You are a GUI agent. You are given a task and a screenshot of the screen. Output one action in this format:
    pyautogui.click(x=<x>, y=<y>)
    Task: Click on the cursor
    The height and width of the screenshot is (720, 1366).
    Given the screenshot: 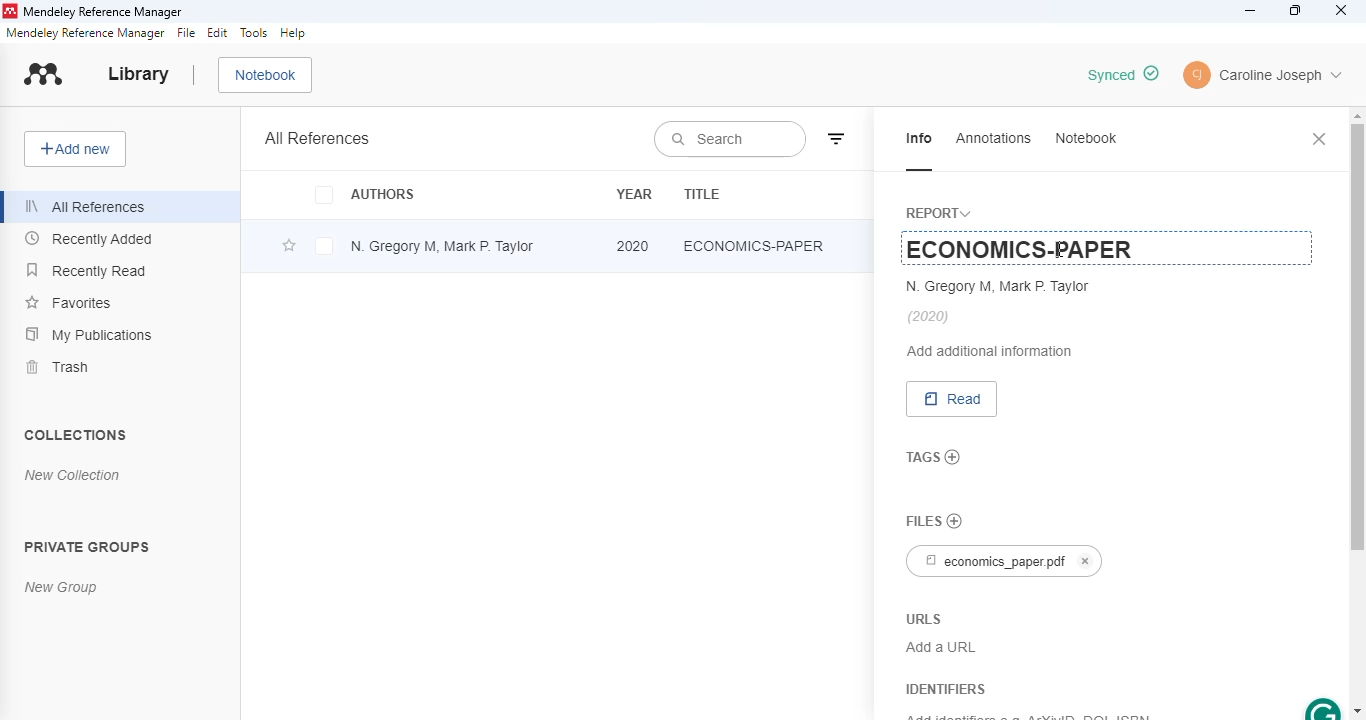 What is the action you would take?
    pyautogui.click(x=1063, y=249)
    